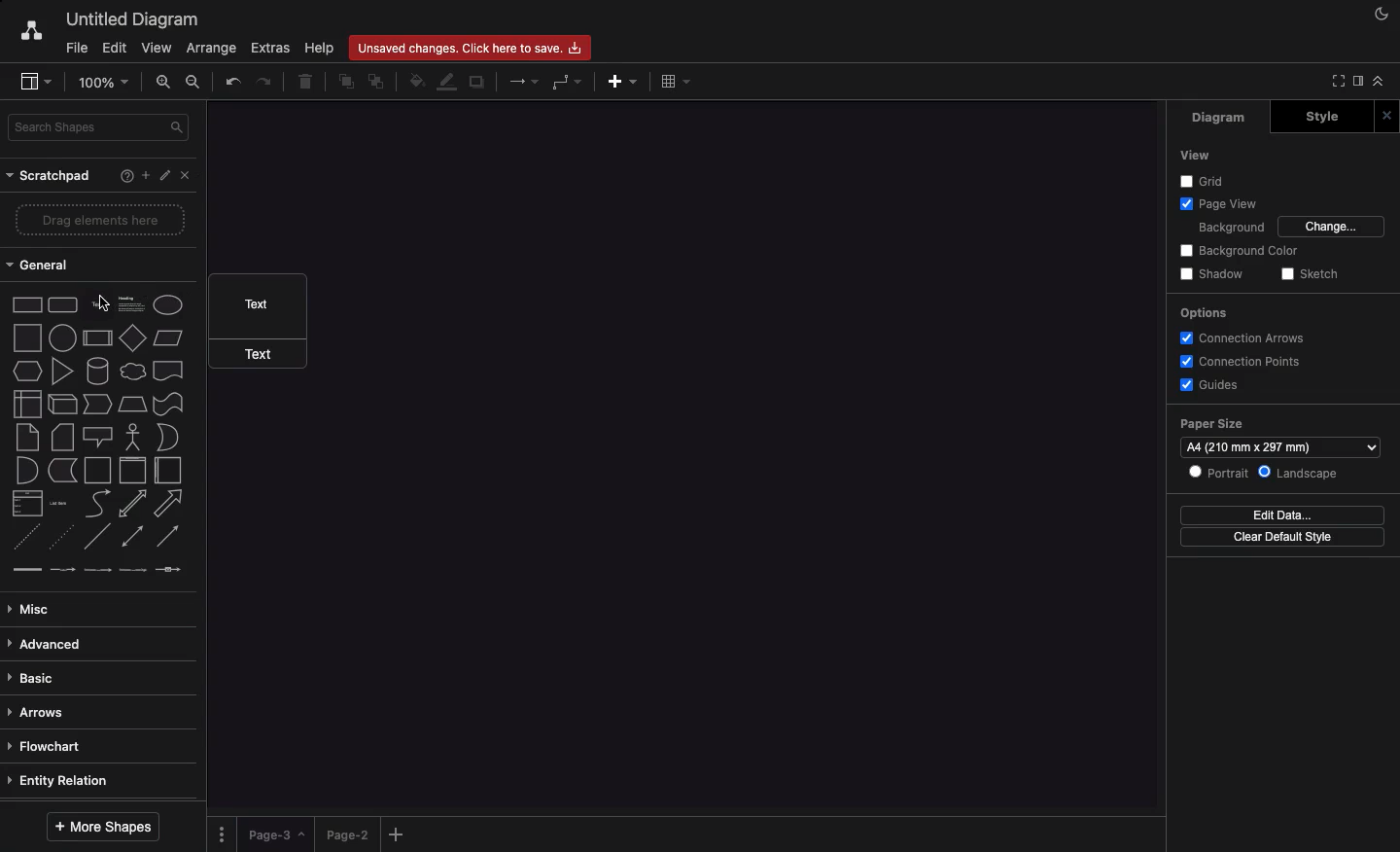 This screenshot has height=852, width=1400. Describe the element at coordinates (53, 747) in the screenshot. I see `Flowchart` at that location.